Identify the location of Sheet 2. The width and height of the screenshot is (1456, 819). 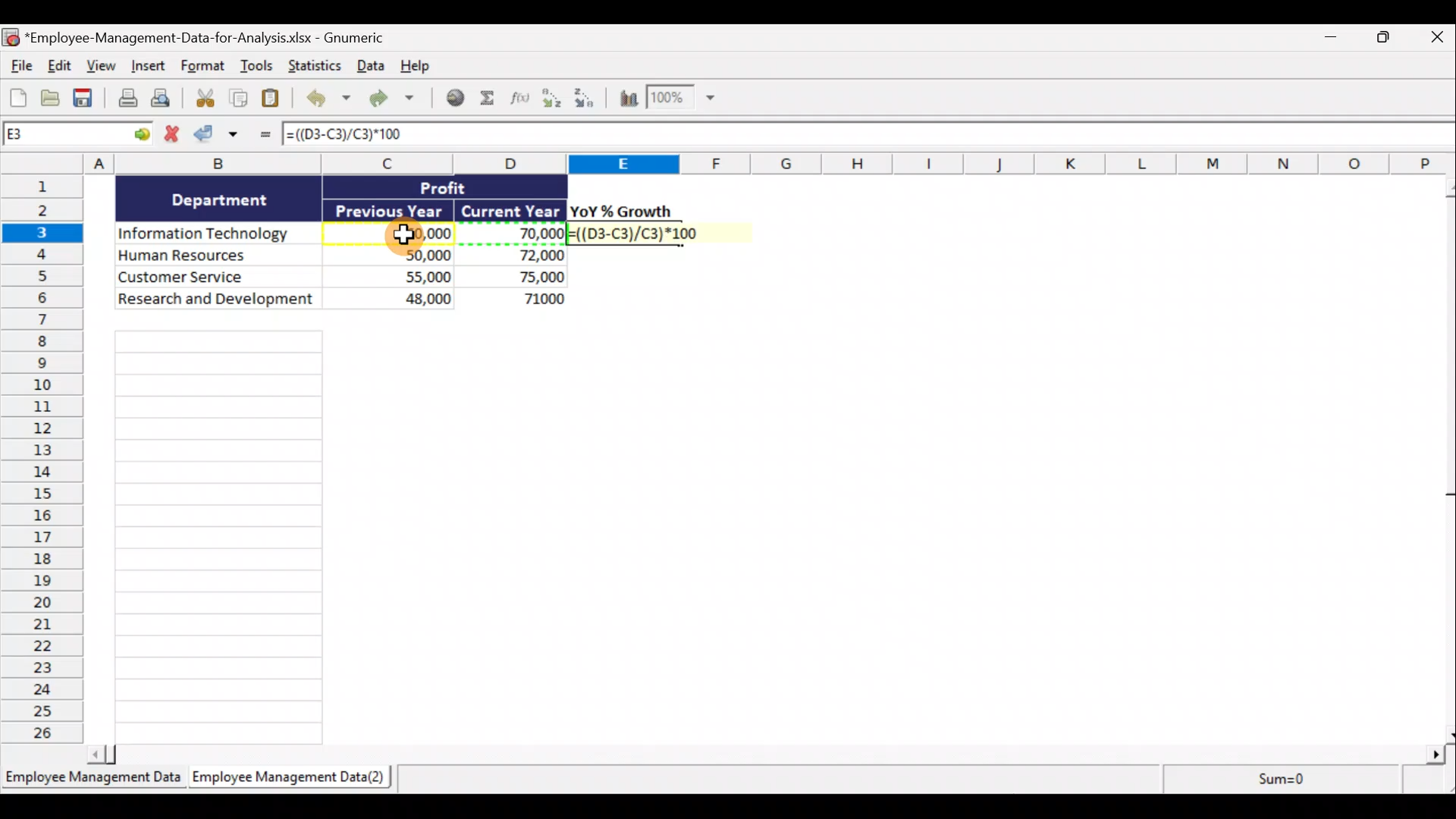
(284, 778).